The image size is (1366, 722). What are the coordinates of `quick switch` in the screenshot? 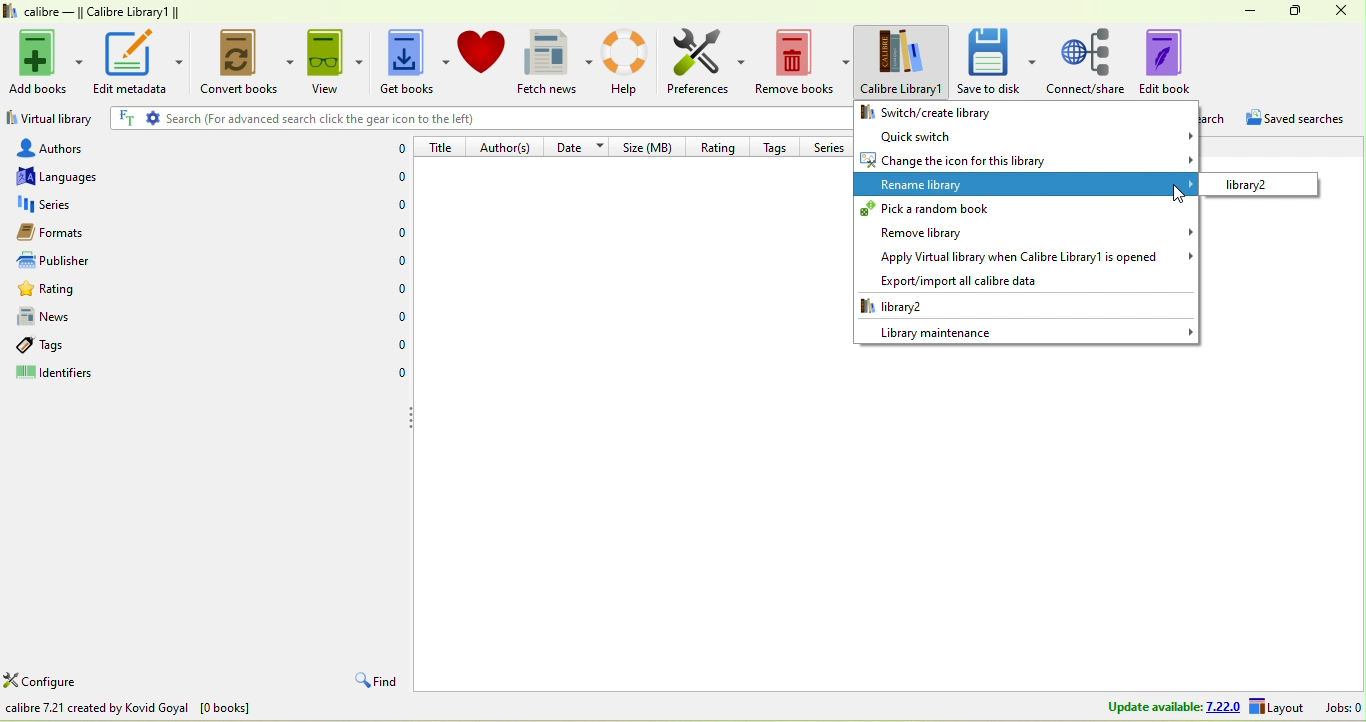 It's located at (1026, 135).